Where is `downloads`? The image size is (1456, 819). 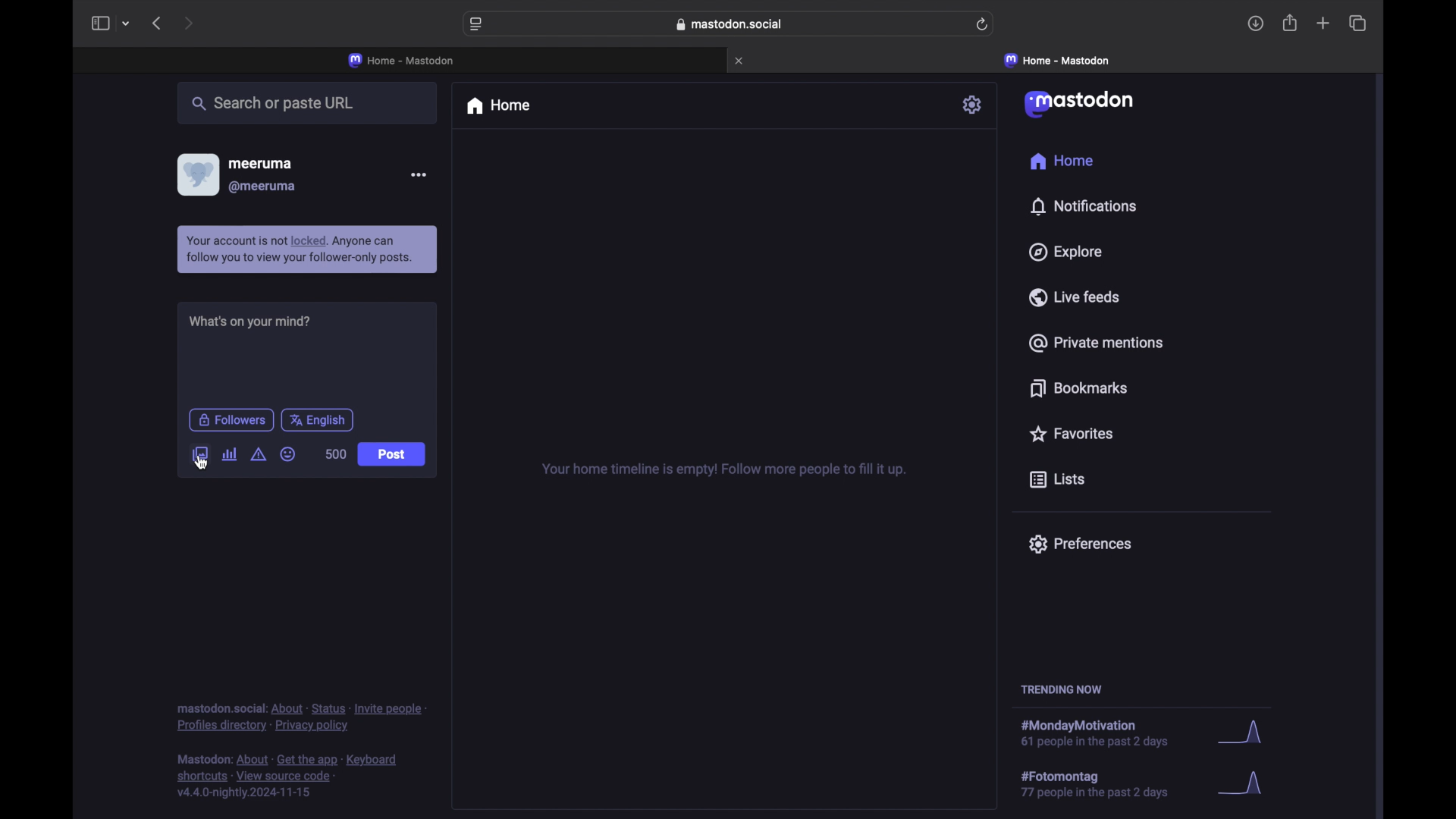 downloads is located at coordinates (1256, 25).